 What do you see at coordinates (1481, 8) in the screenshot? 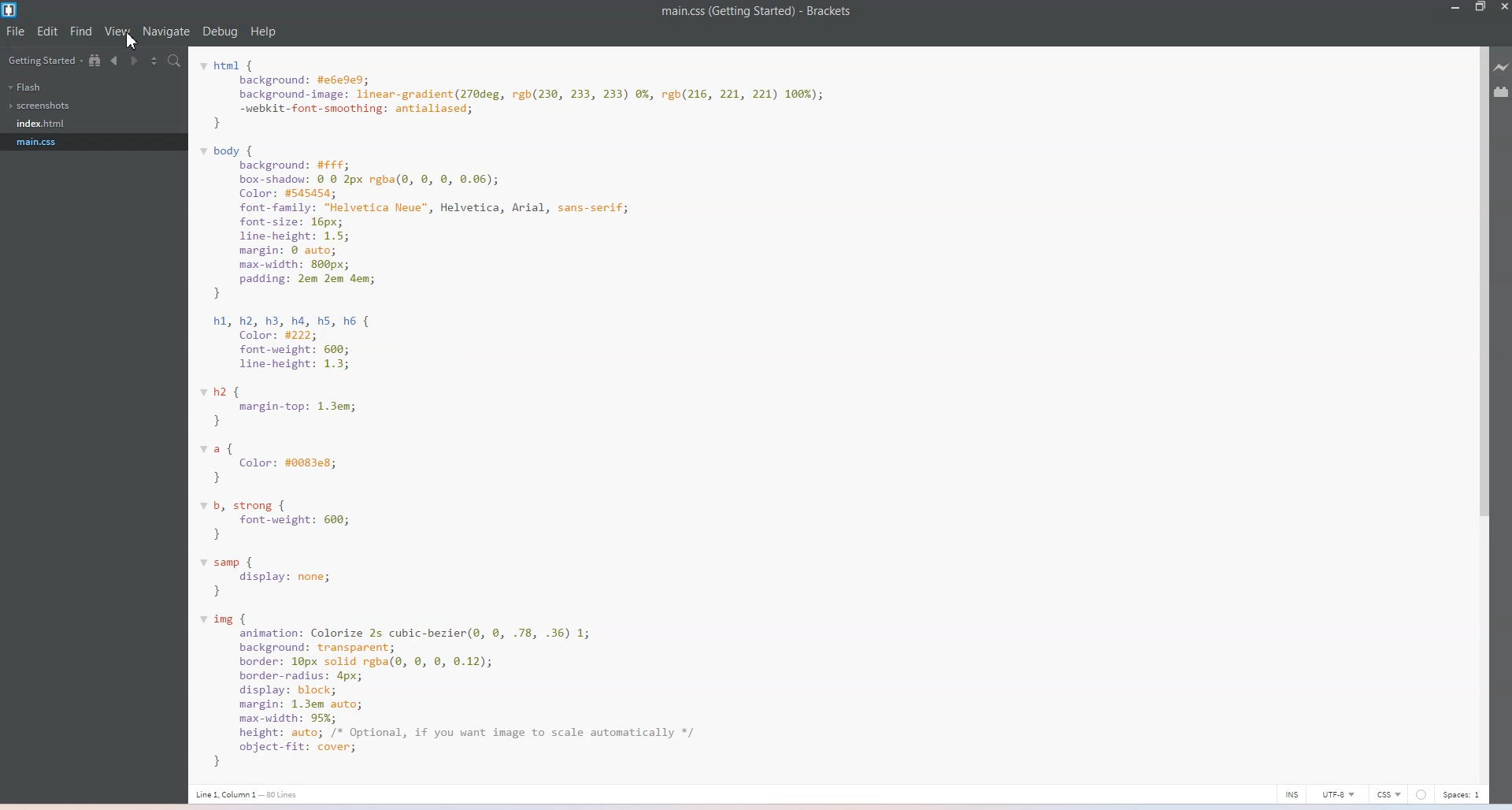
I see `Maximize` at bounding box center [1481, 8].